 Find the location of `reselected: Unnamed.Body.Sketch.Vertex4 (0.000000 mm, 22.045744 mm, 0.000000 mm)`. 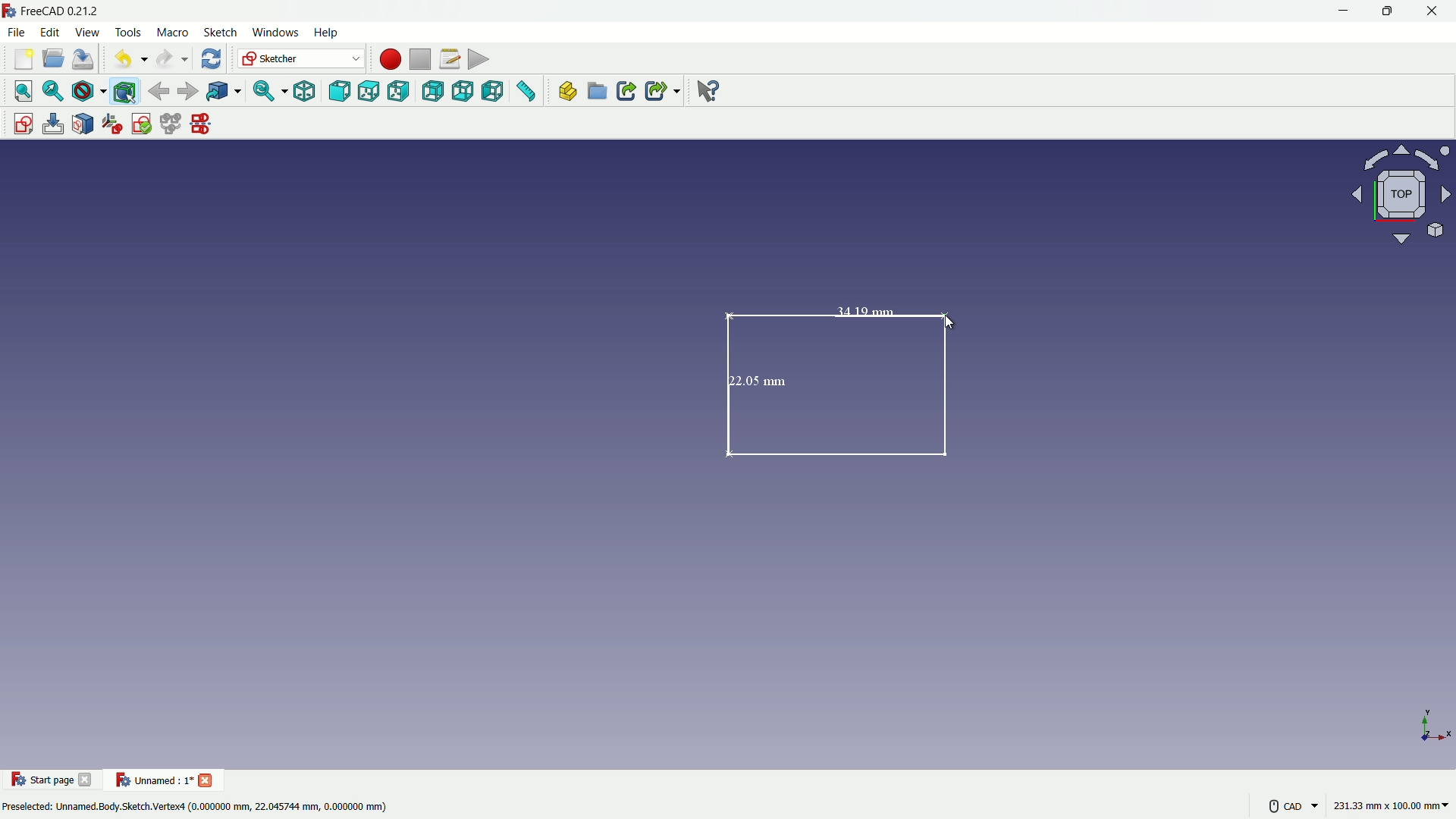

reselected: Unnamed.Body.Sketch.Vertex4 (0.000000 mm, 22.045744 mm, 0.000000 mm) is located at coordinates (195, 808).